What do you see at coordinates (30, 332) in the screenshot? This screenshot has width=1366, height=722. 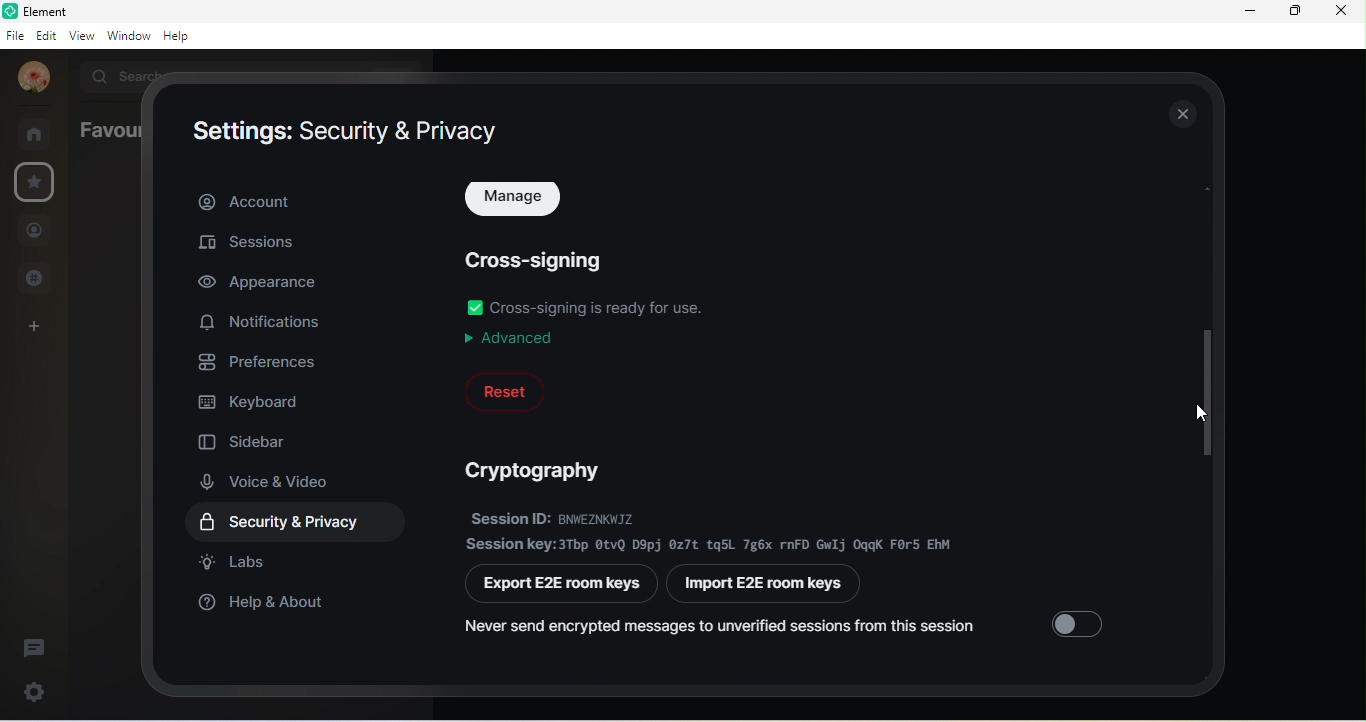 I see `add space` at bounding box center [30, 332].